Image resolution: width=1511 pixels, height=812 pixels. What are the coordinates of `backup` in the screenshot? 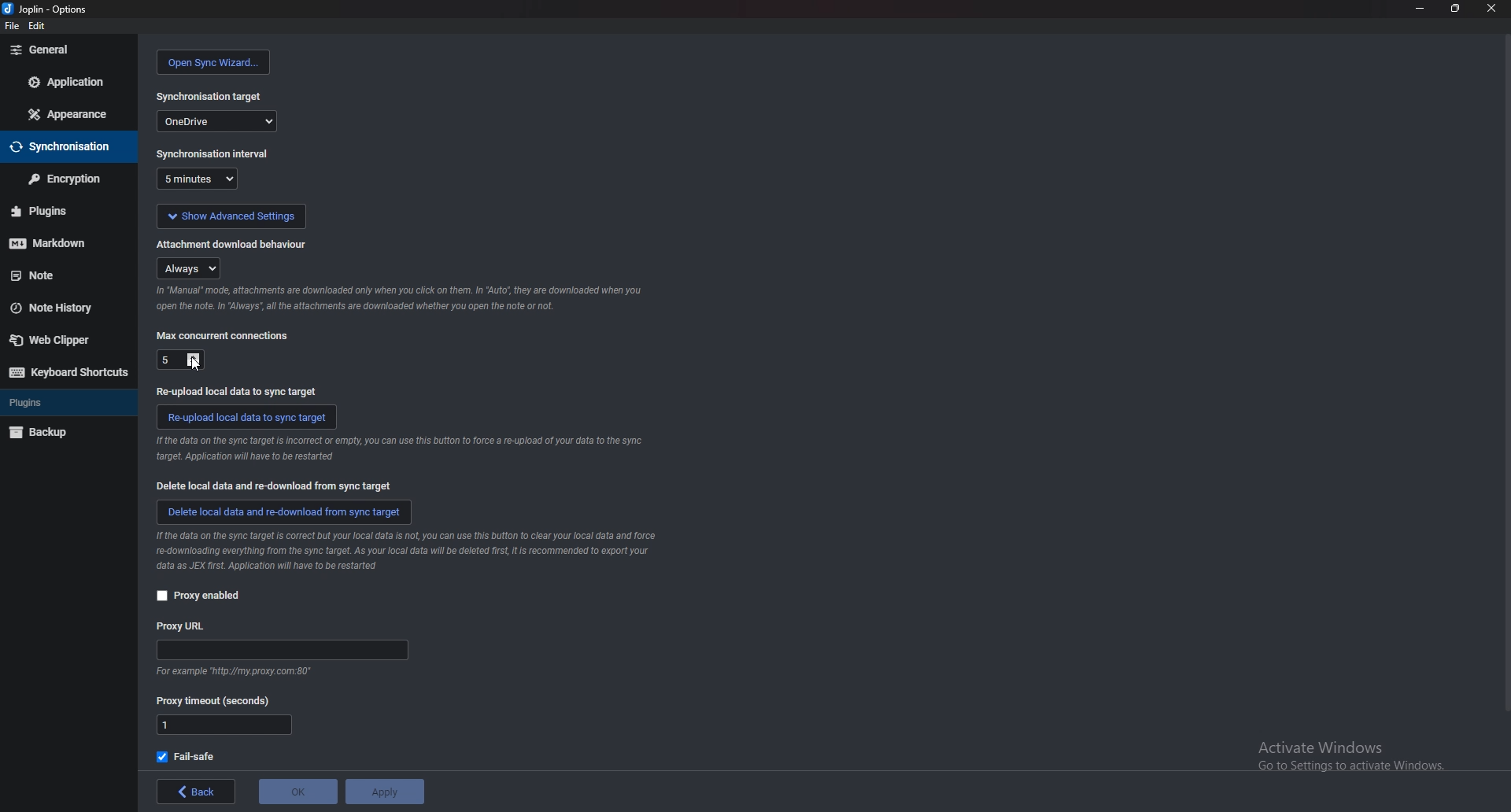 It's located at (61, 432).